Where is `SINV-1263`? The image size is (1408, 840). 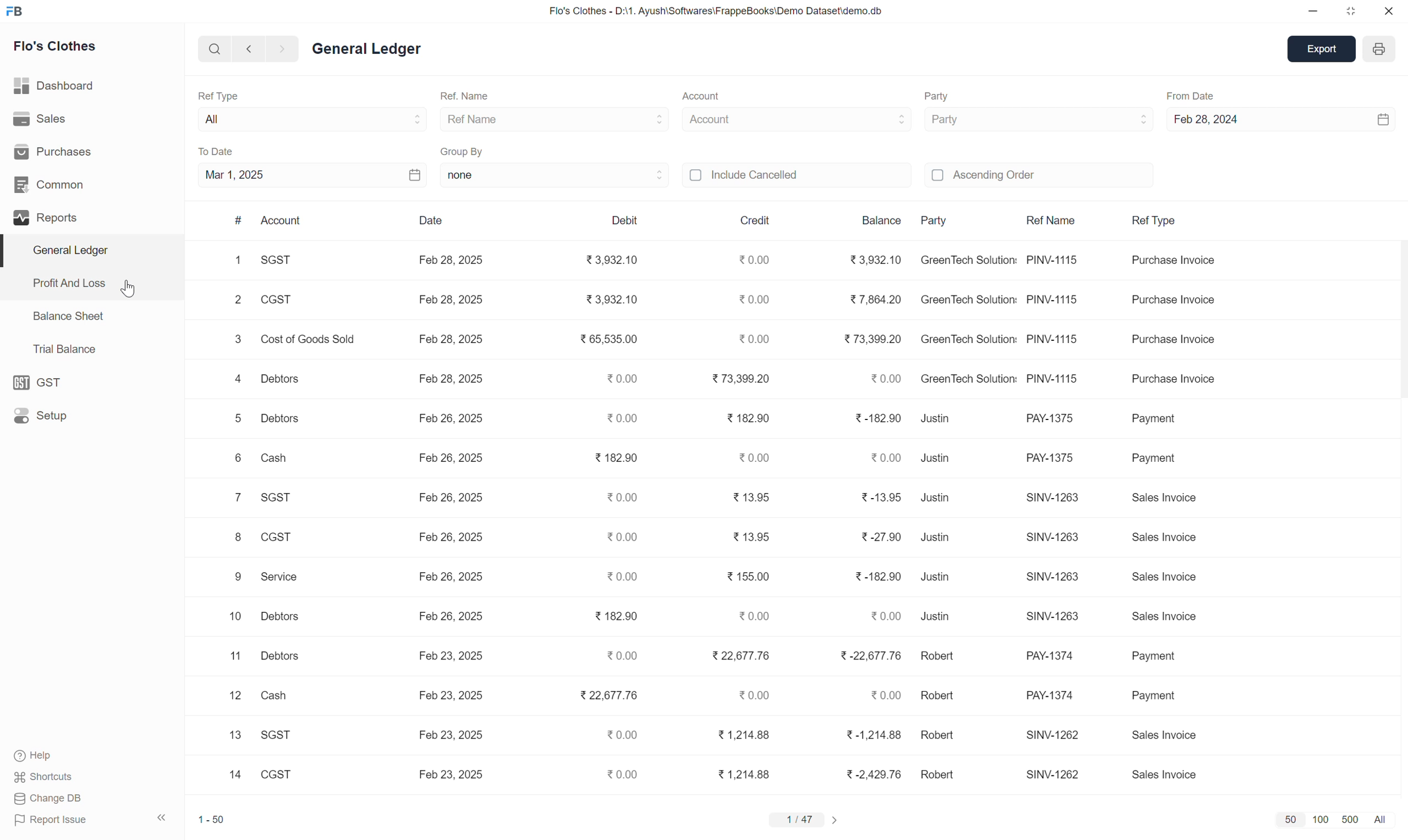
SINV-1263 is located at coordinates (1052, 575).